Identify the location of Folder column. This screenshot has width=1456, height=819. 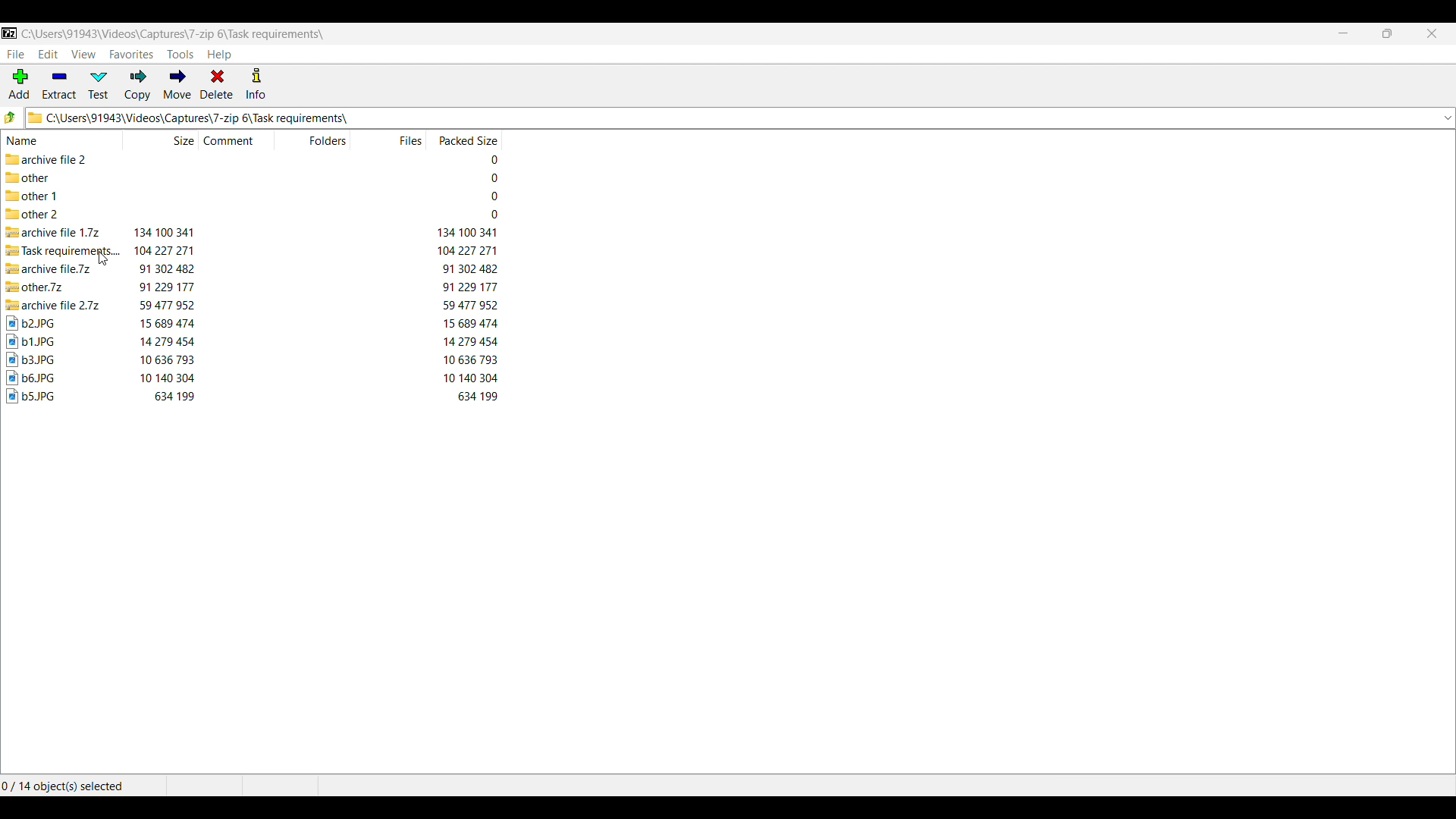
(313, 139).